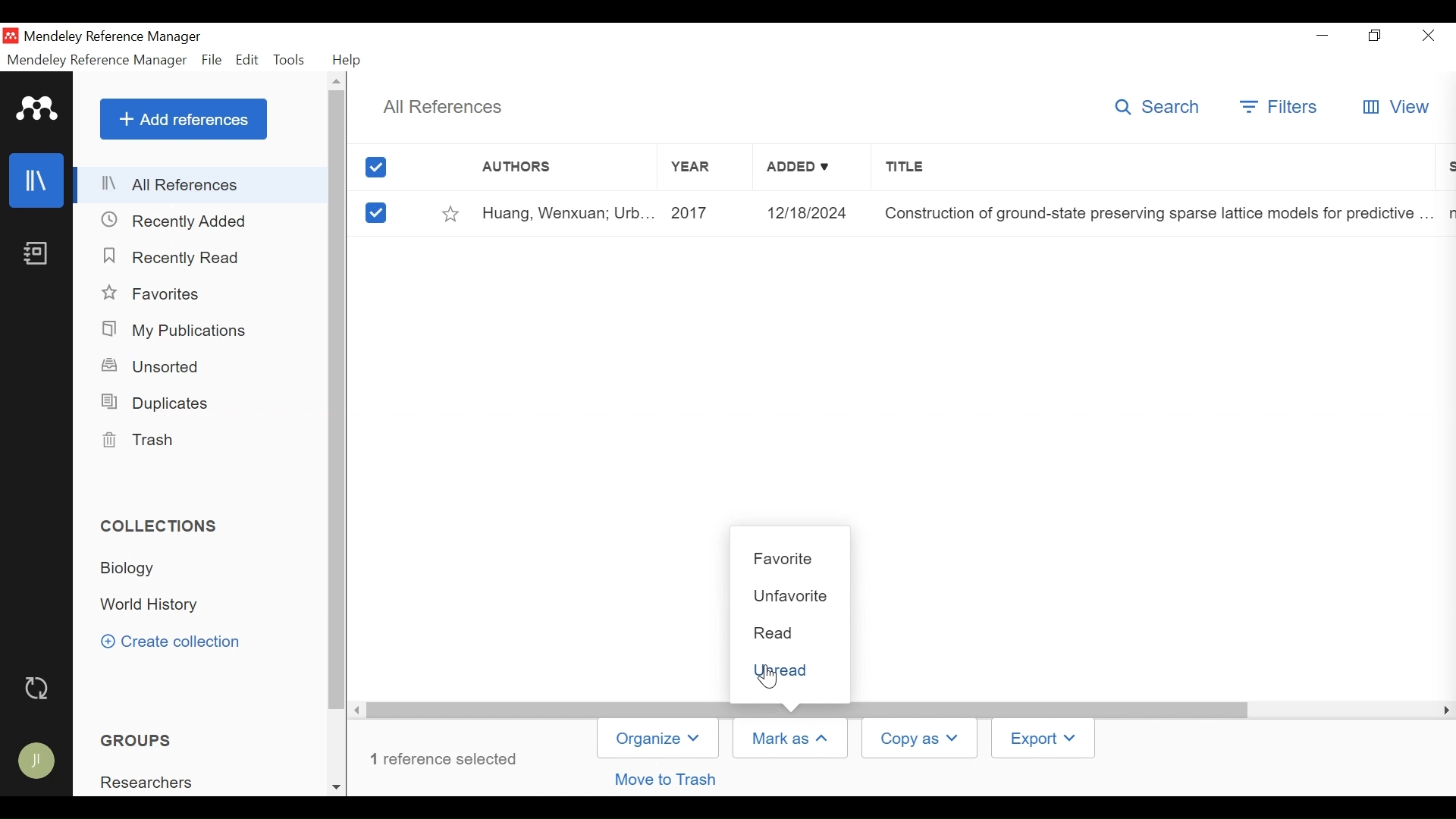  I want to click on Added, so click(811, 214).